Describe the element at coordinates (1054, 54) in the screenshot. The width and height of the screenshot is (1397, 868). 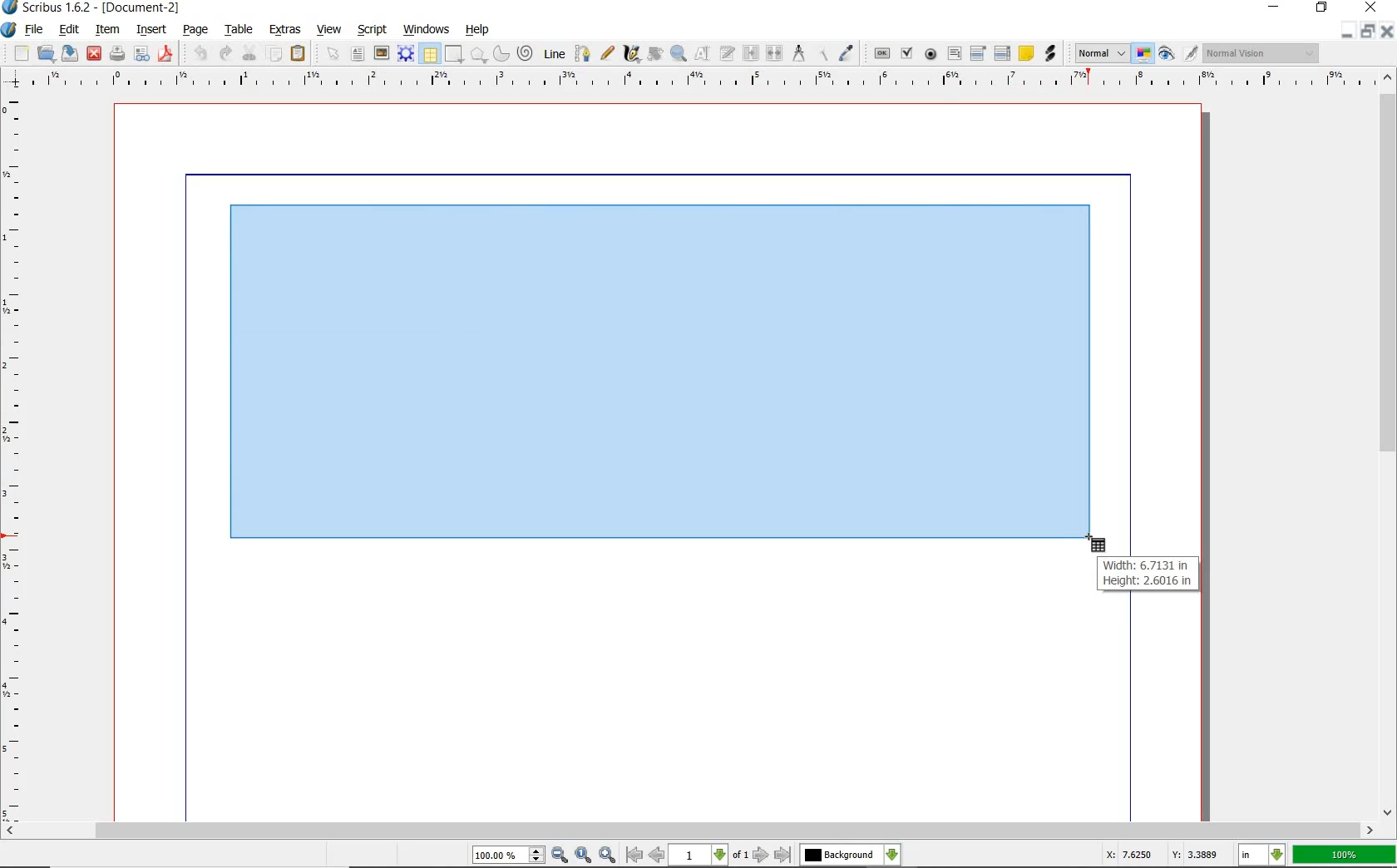
I see `link annotation` at that location.